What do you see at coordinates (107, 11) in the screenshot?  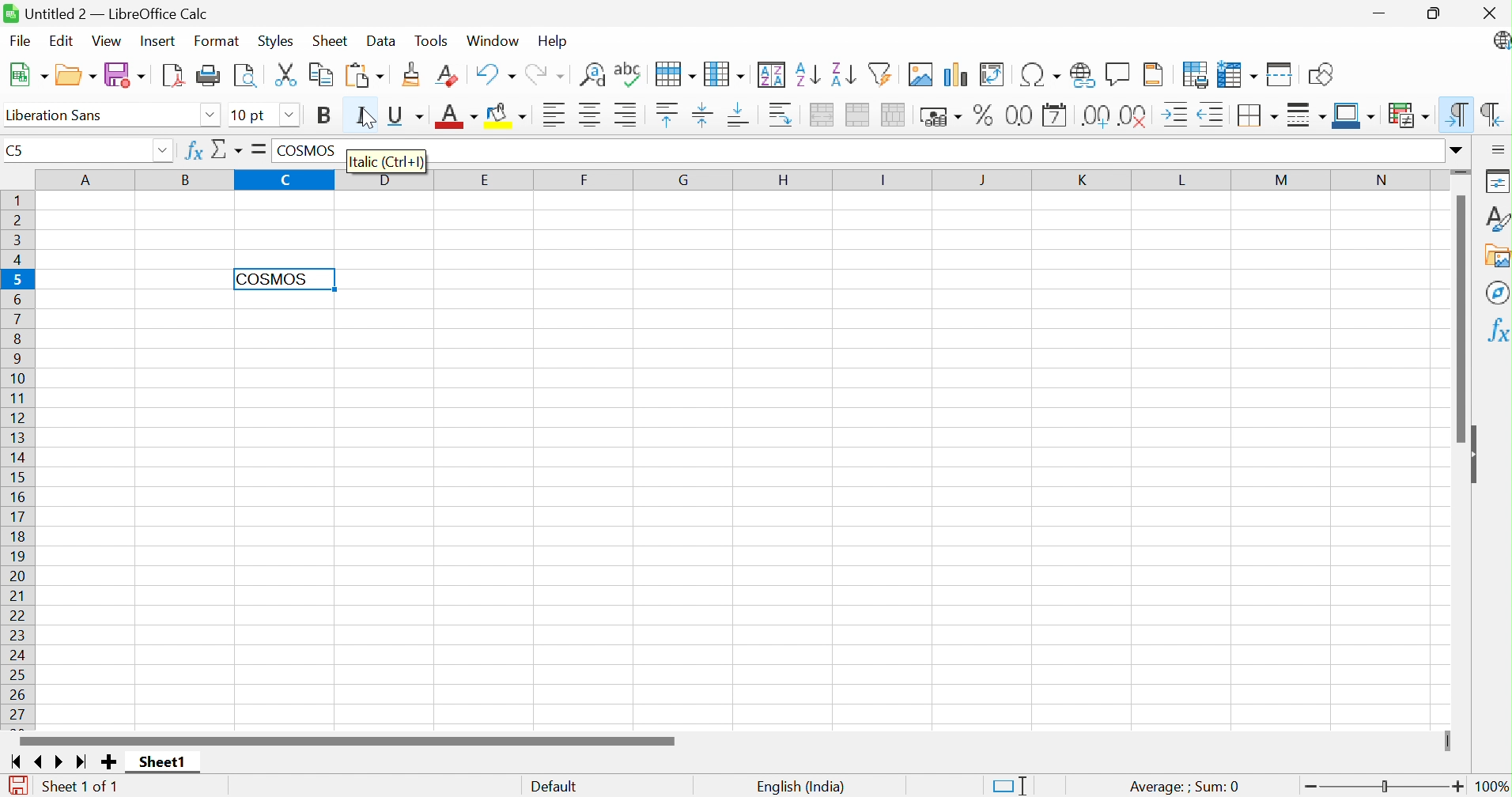 I see `Untitled 2 - LibreOffice Calc` at bounding box center [107, 11].